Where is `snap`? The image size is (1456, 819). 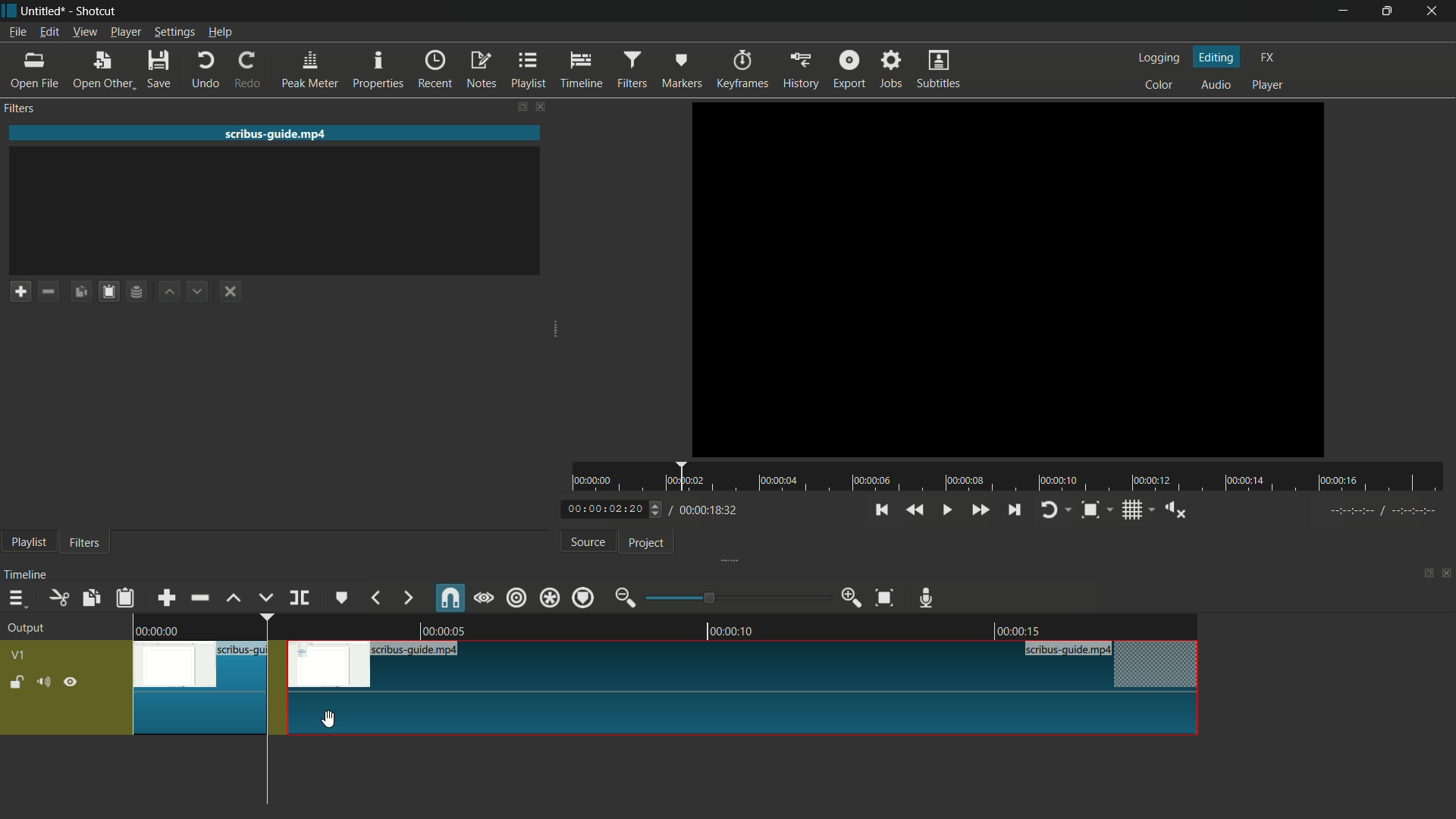 snap is located at coordinates (450, 598).